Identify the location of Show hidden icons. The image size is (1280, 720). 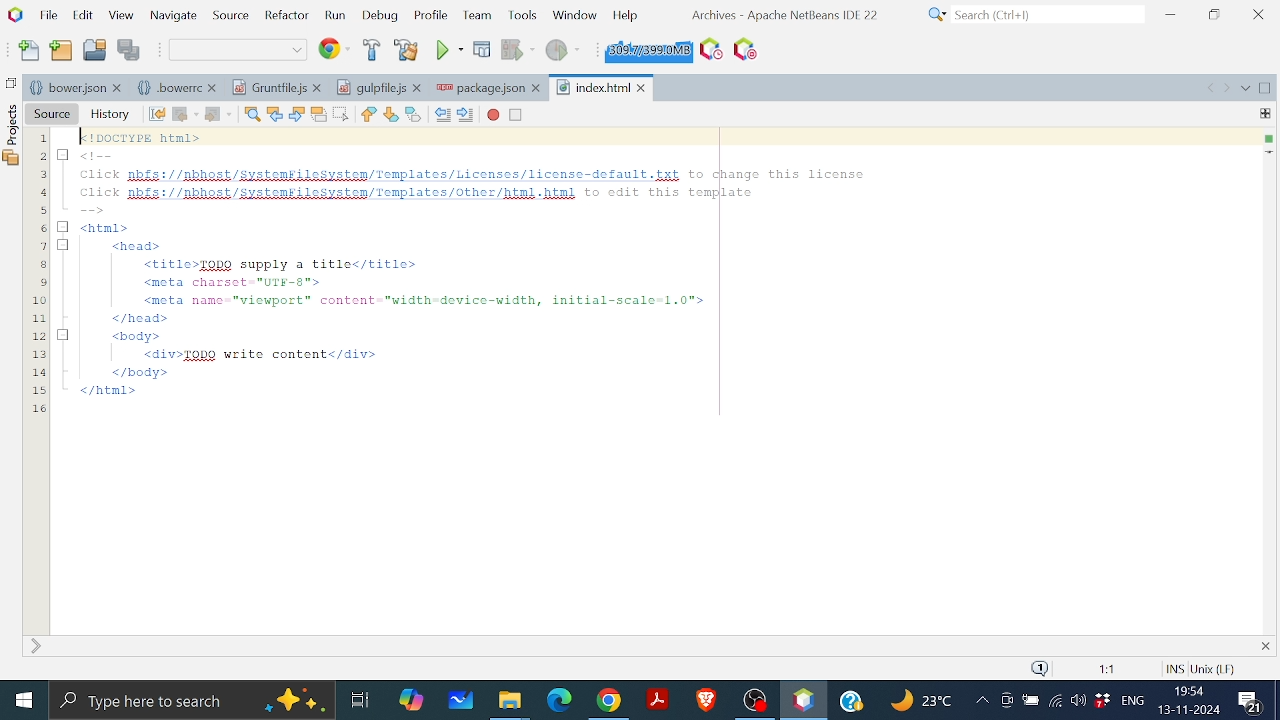
(982, 704).